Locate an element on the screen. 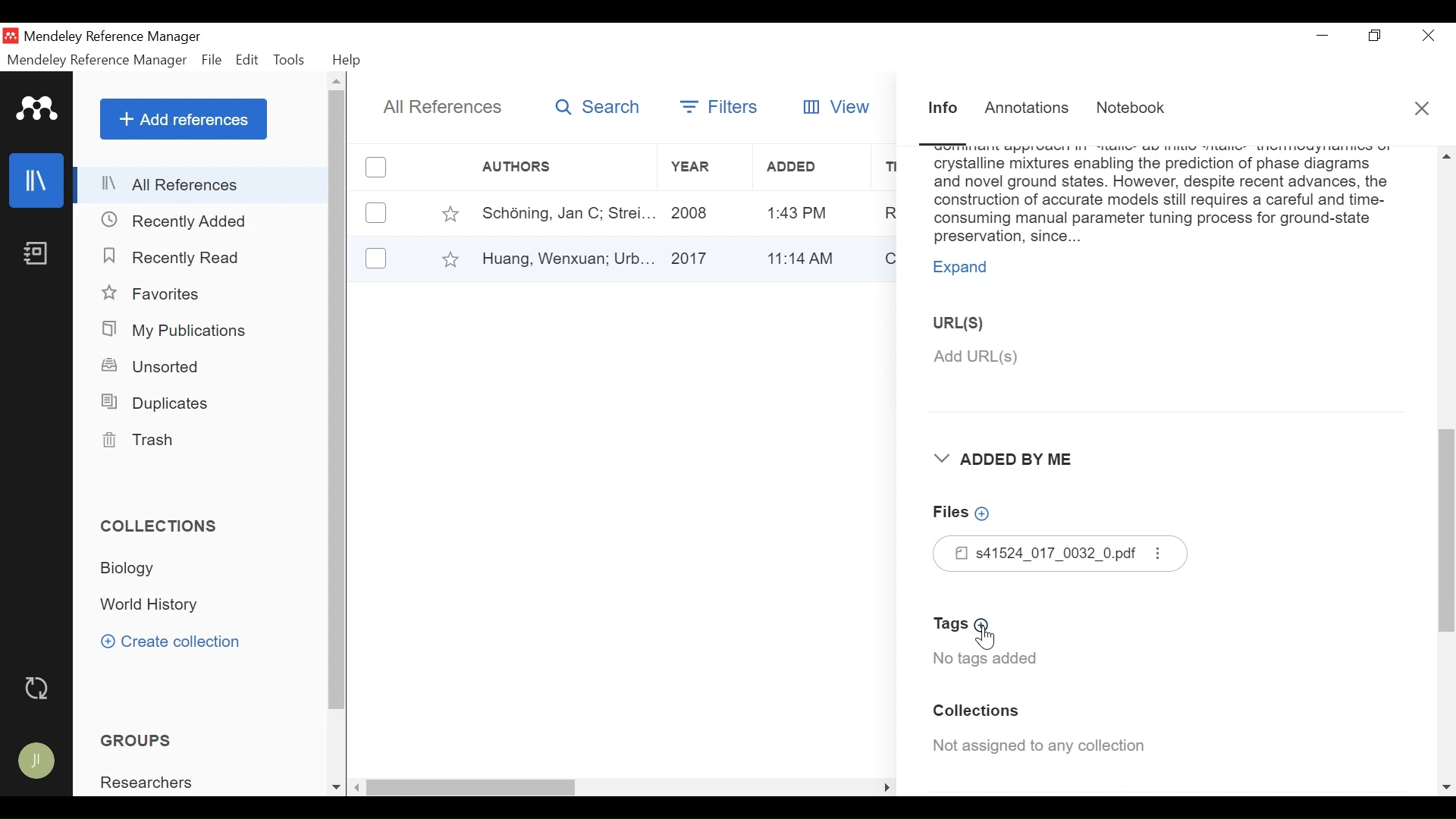 The image size is (1456, 819). minimize is located at coordinates (1323, 36).